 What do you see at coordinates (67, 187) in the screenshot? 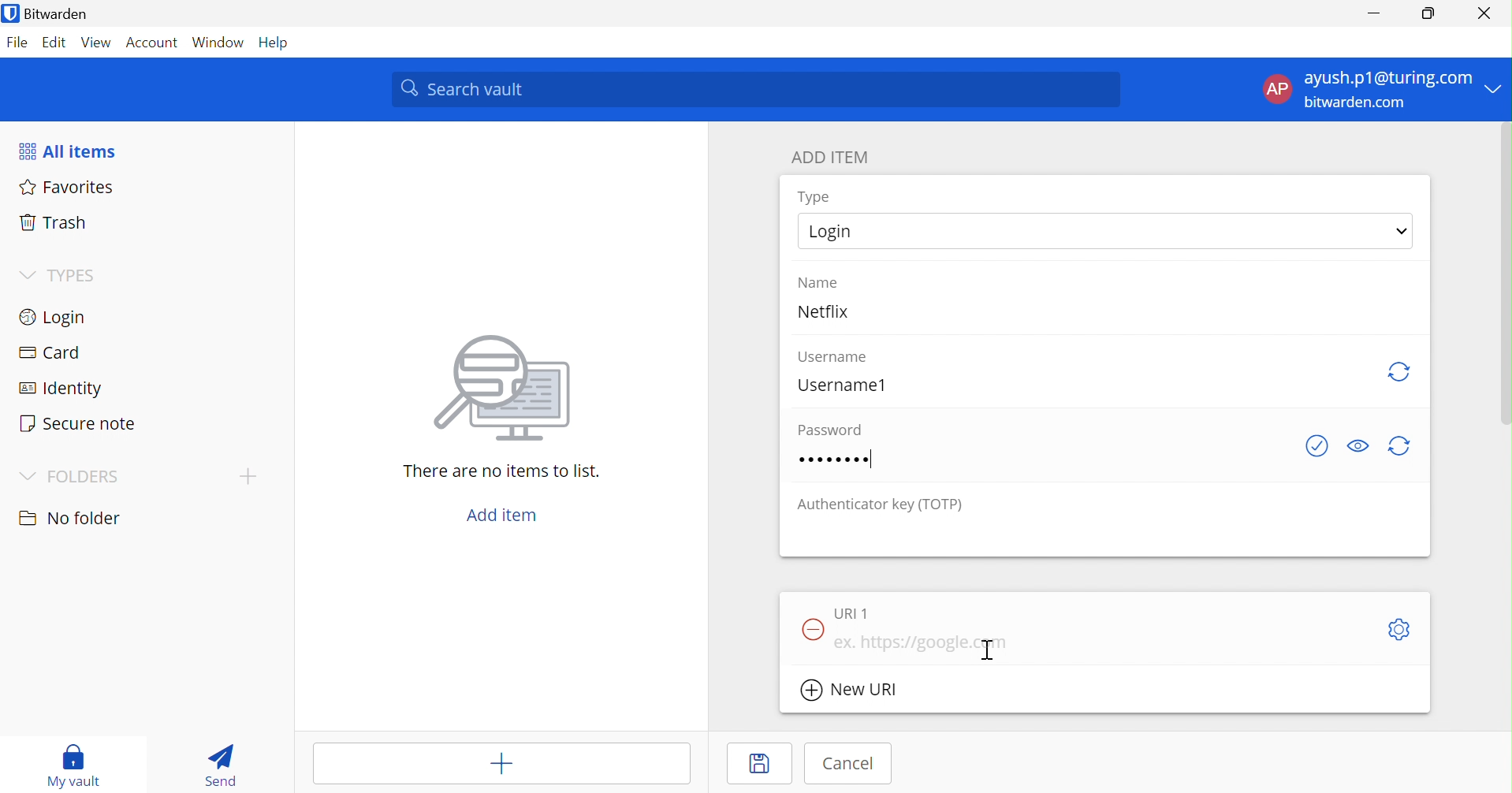
I see `Favorites` at bounding box center [67, 187].